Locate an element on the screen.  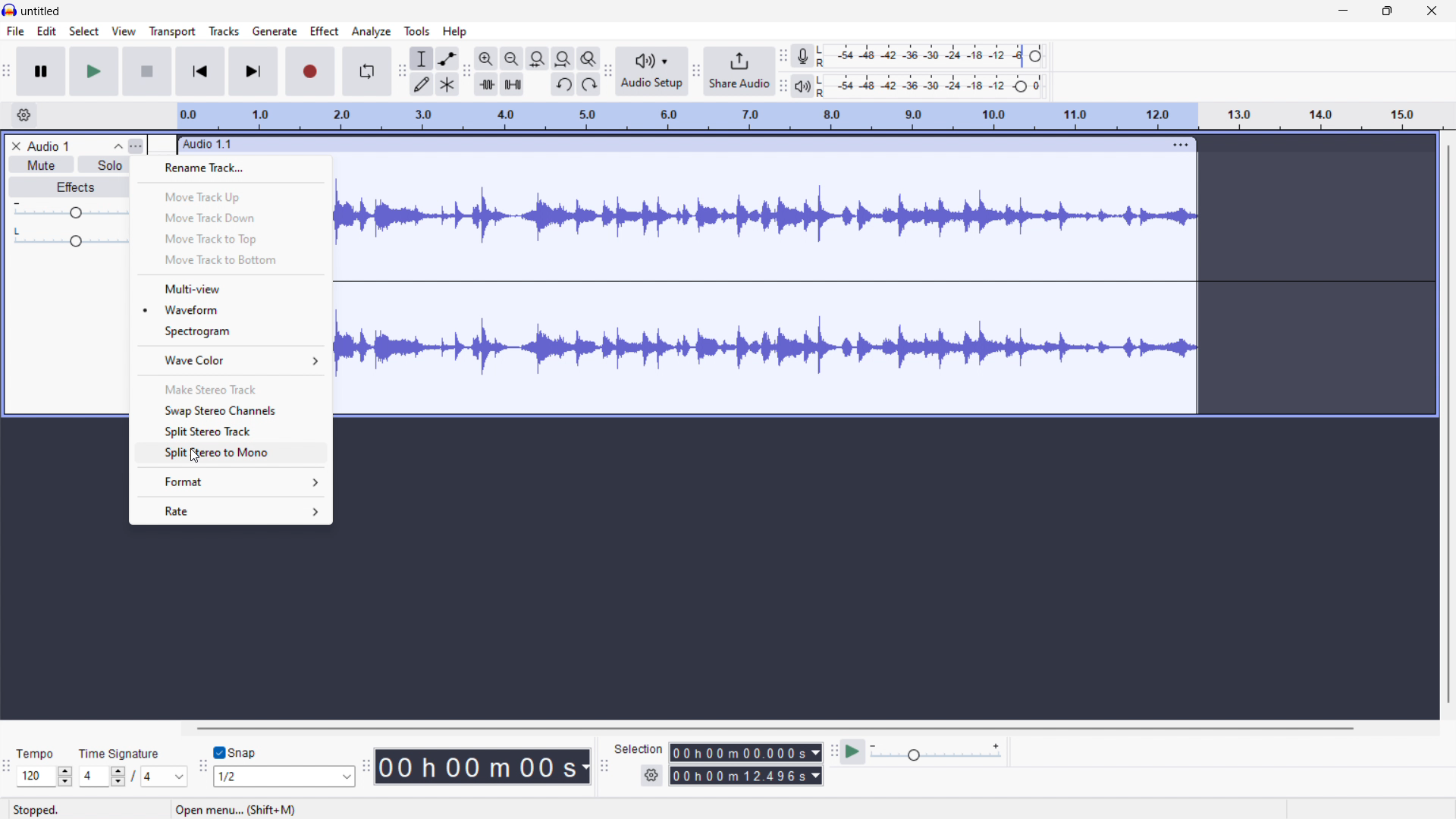
Untitled is located at coordinates (39, 11).